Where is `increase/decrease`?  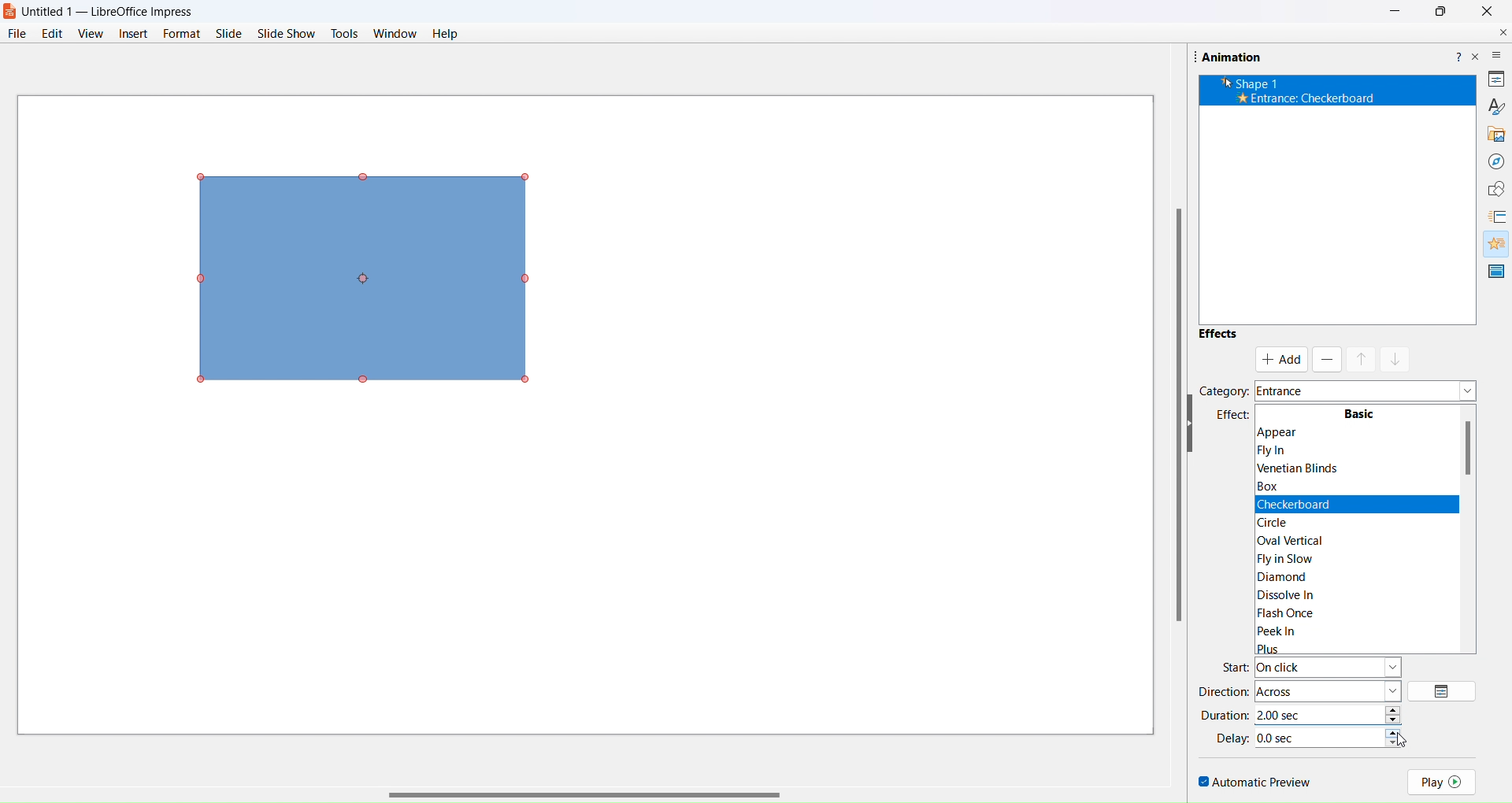 increase/decrease is located at coordinates (1395, 713).